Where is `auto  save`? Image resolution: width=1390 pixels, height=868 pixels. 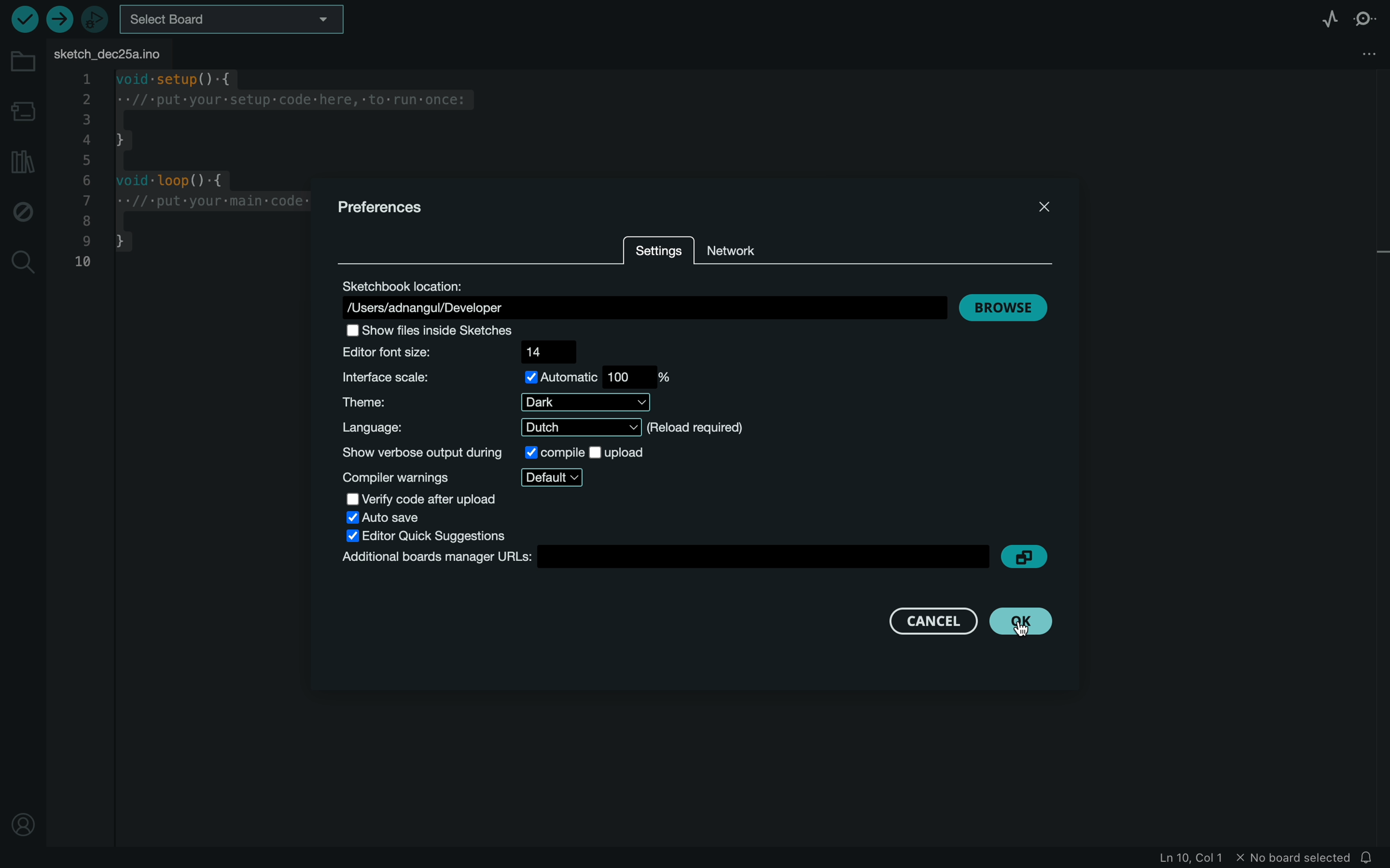 auto  save is located at coordinates (384, 517).